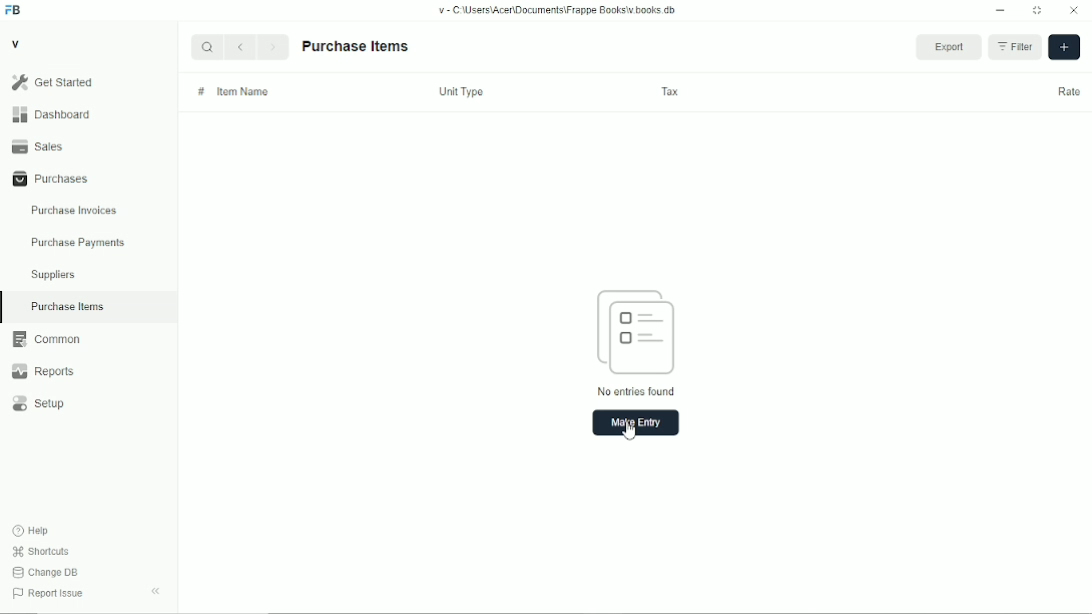  What do you see at coordinates (558, 10) in the screenshot?
I see `v-C:\Users\Acer\Documents\Frappe books\v.books.db` at bounding box center [558, 10].